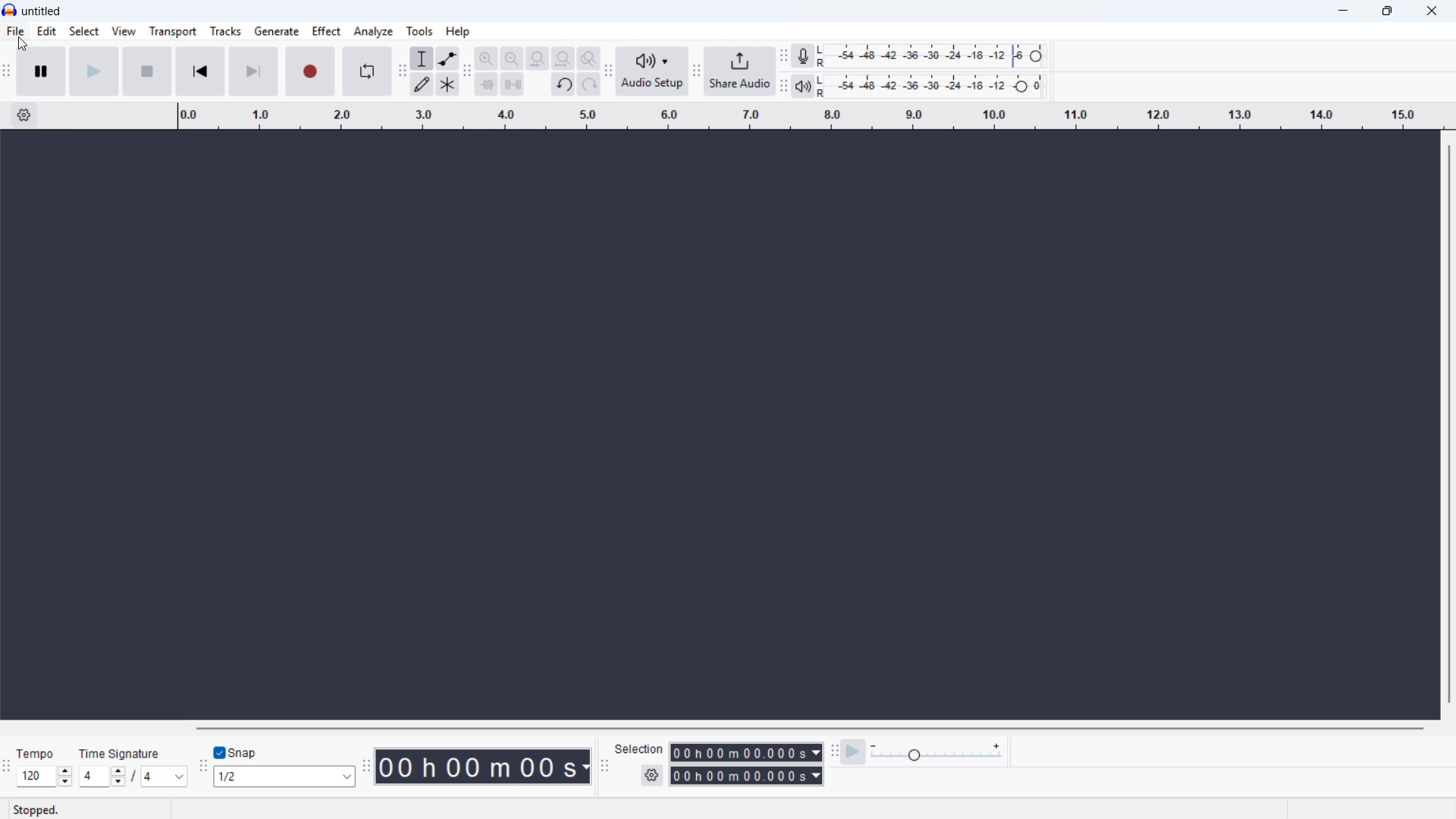  What do you see at coordinates (803, 87) in the screenshot?
I see `Playback metre ` at bounding box center [803, 87].